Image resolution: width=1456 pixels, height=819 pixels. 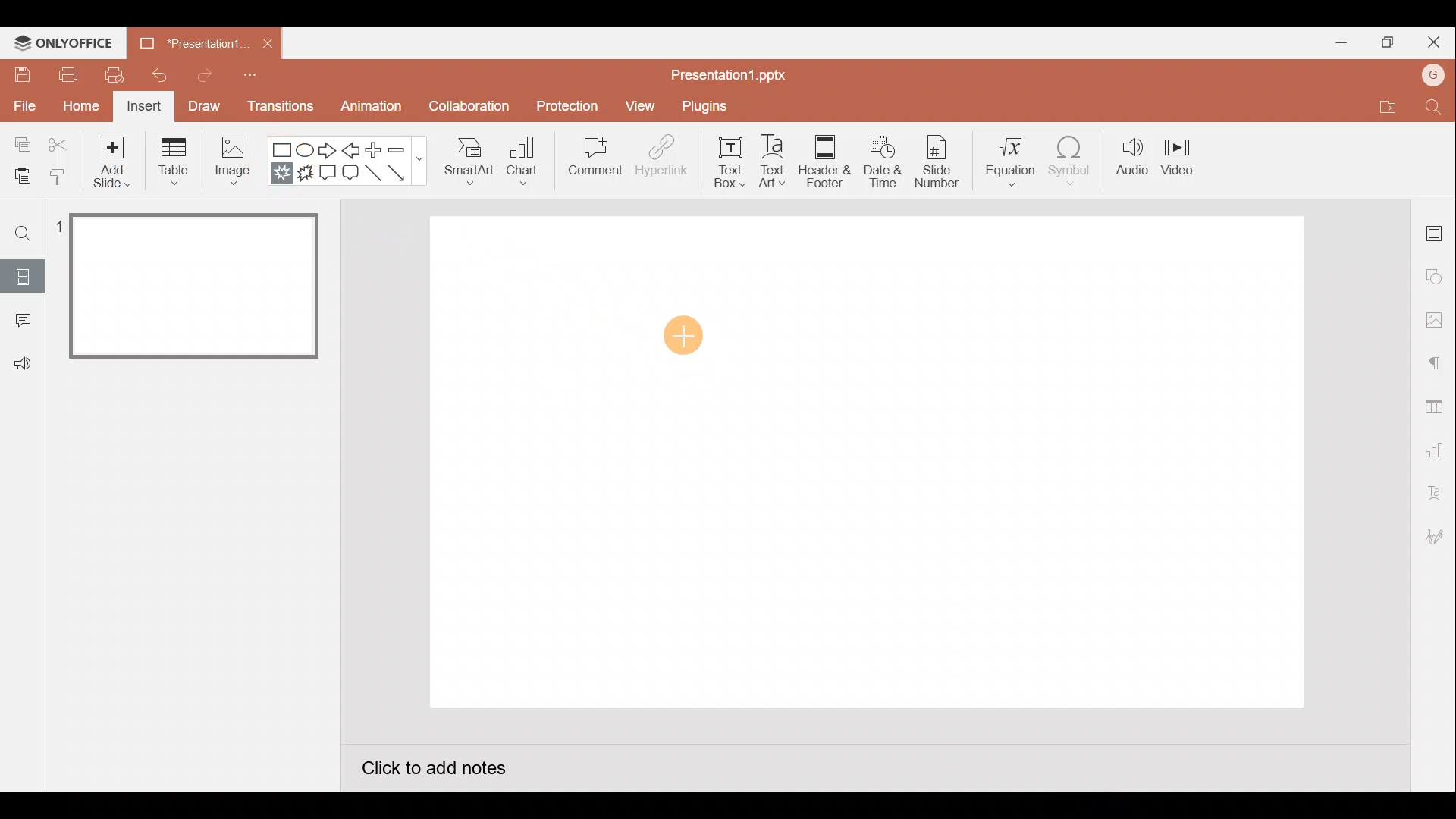 What do you see at coordinates (566, 101) in the screenshot?
I see `Protection` at bounding box center [566, 101].